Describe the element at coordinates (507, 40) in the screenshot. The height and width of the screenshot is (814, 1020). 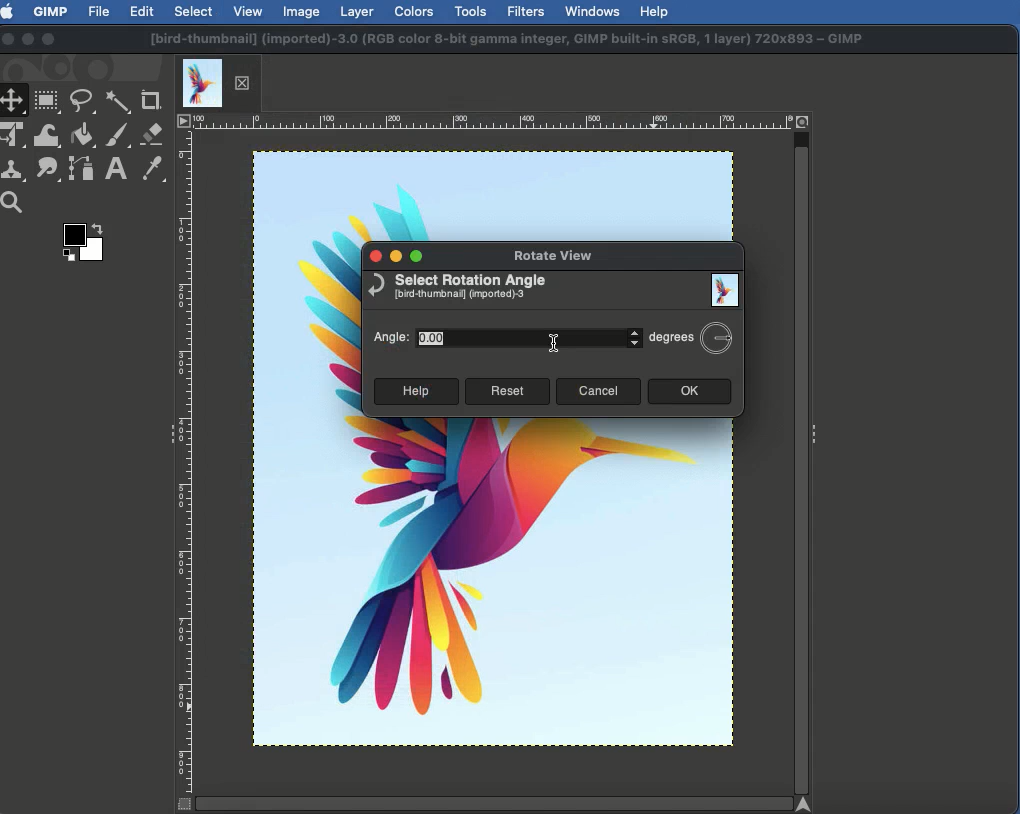
I see `[bird-thumbnail] (imported)-3.0 (RGB color 8-bit gamma integer, GIMP built-in SRGB, 1 layer) 720x893 ~ GIMP.` at that location.